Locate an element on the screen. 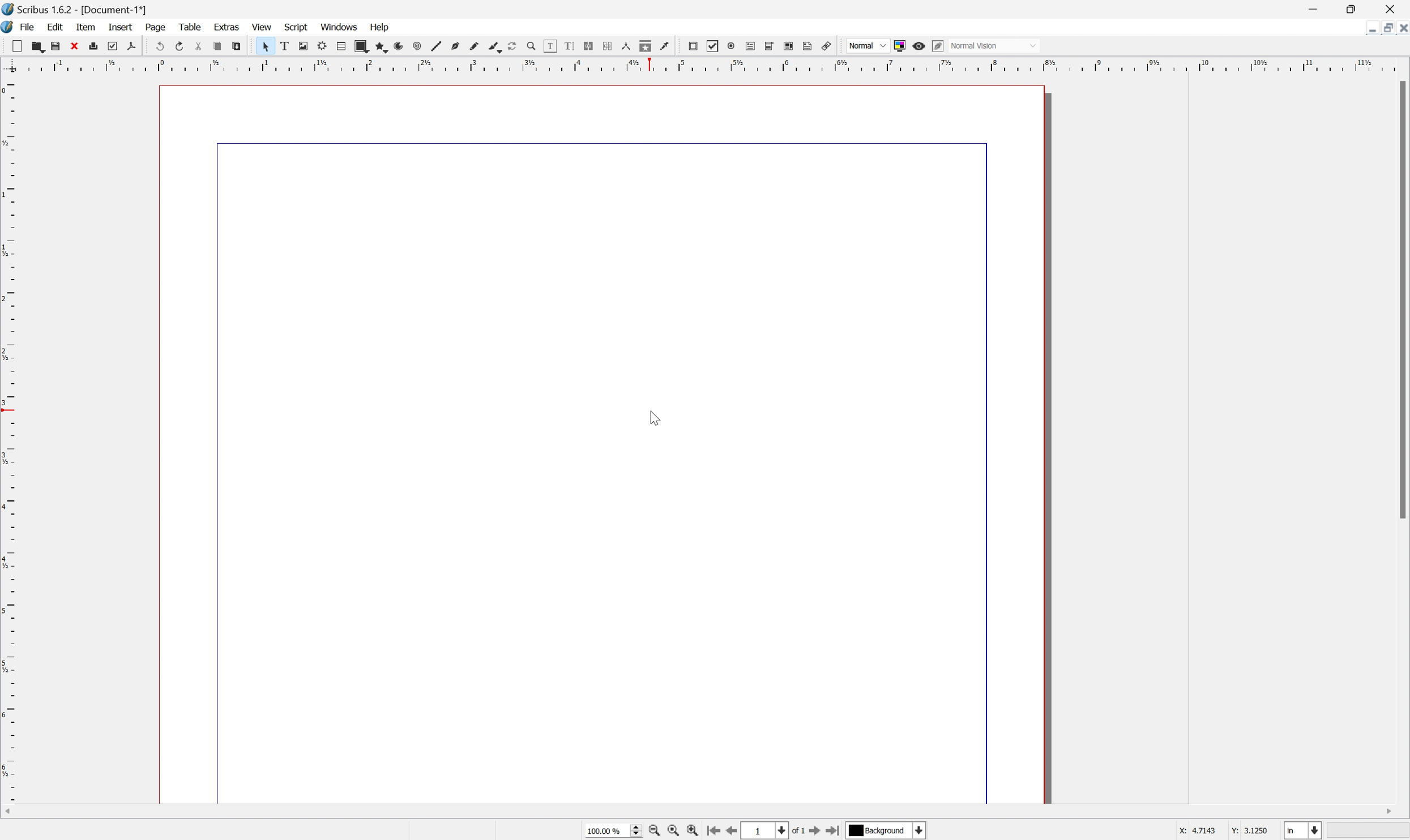 Image resolution: width=1410 pixels, height=840 pixels. Close is located at coordinates (1392, 9).